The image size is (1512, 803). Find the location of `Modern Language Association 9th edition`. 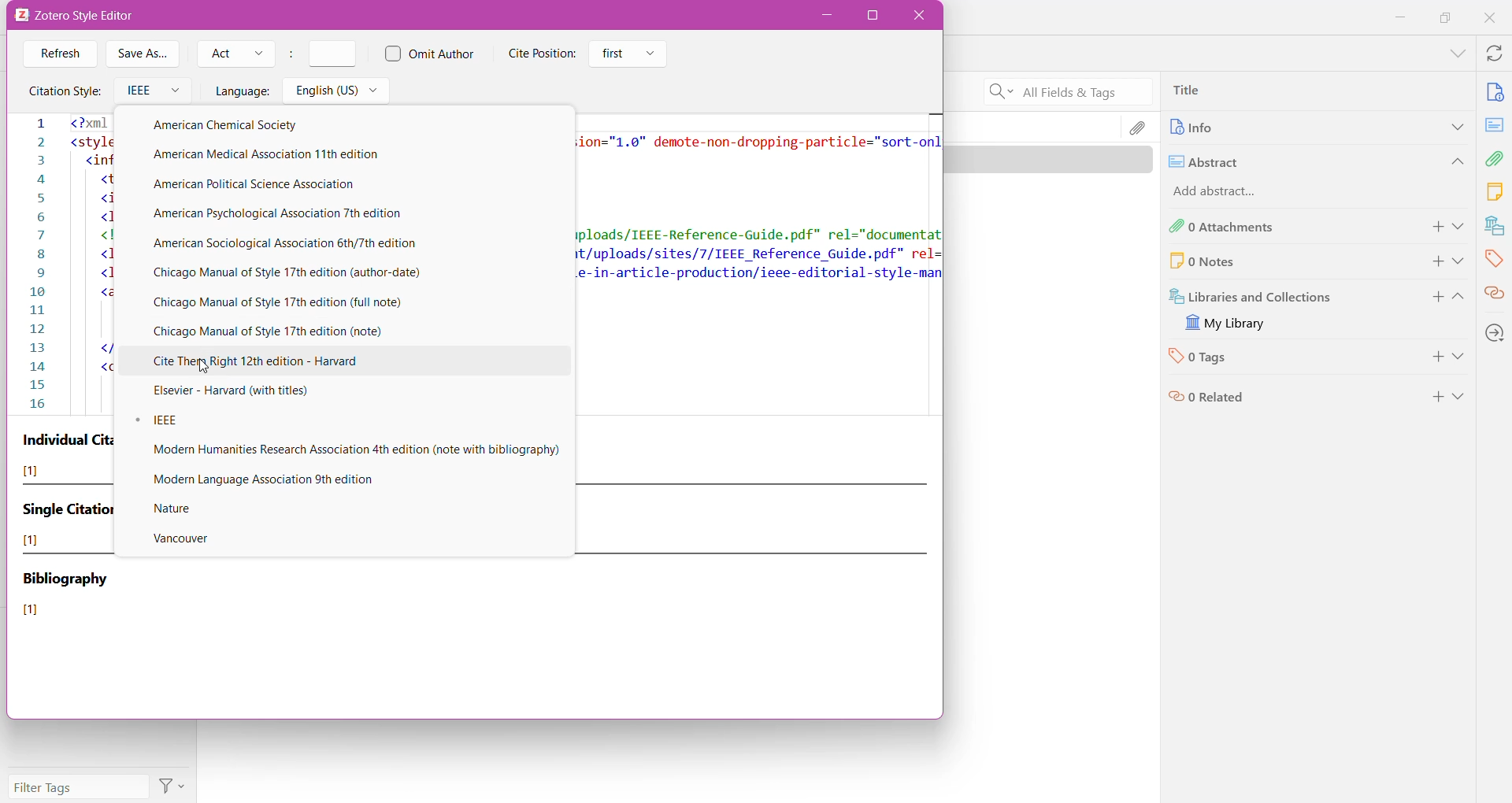

Modern Language Association 9th edition is located at coordinates (280, 481).